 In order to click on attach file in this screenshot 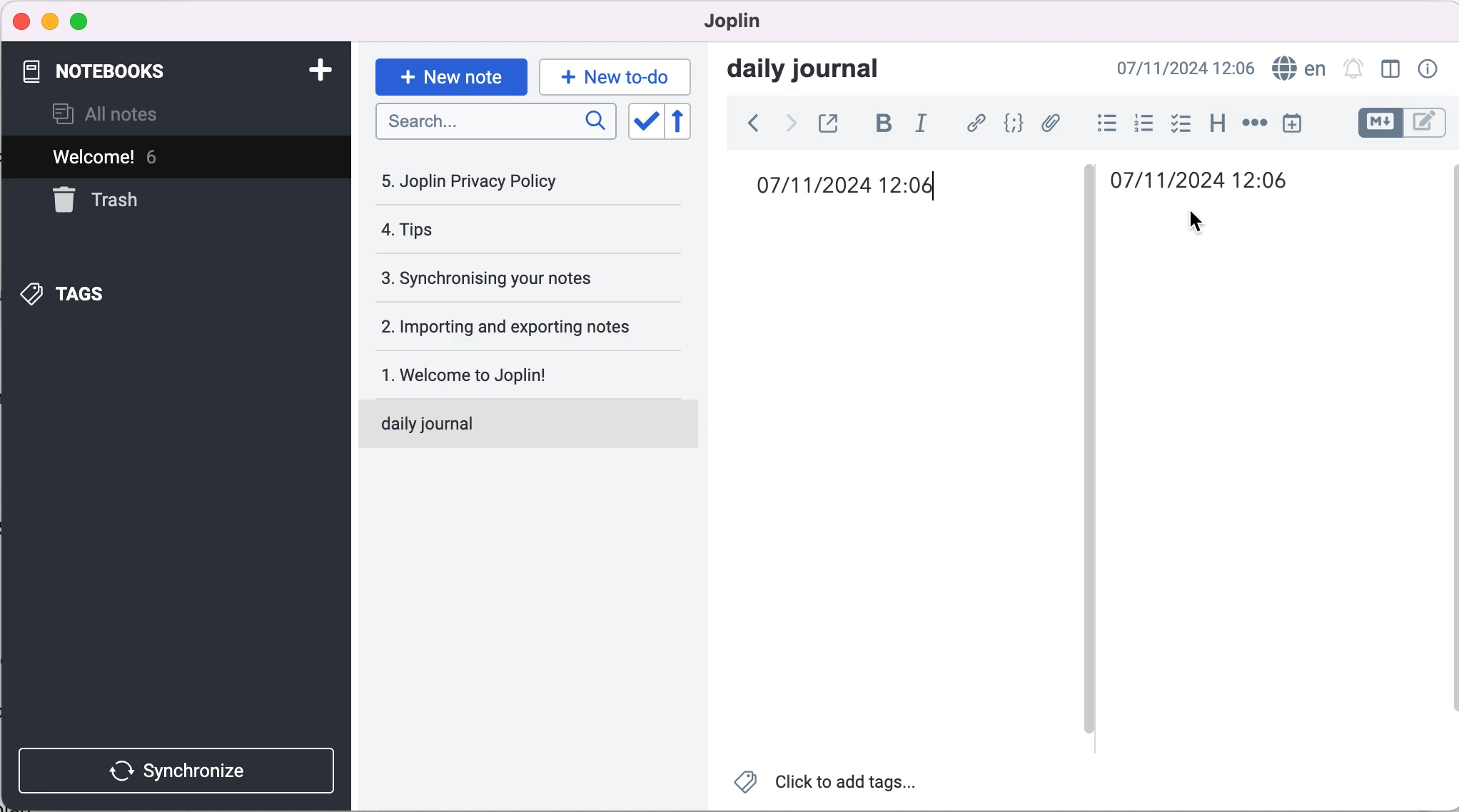, I will do `click(1051, 123)`.